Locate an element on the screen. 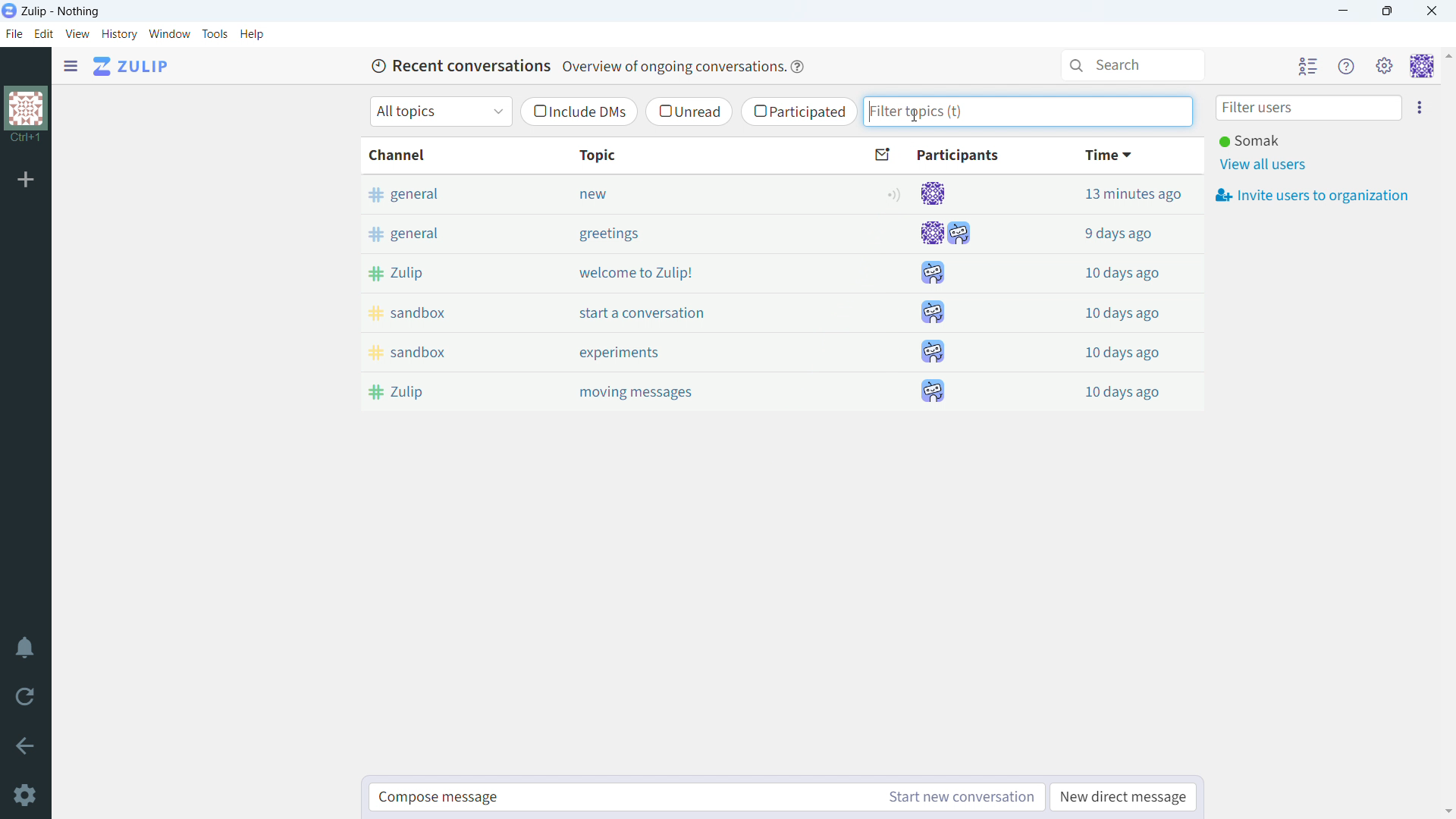 This screenshot has height=819, width=1456. add organization is located at coordinates (24, 180).